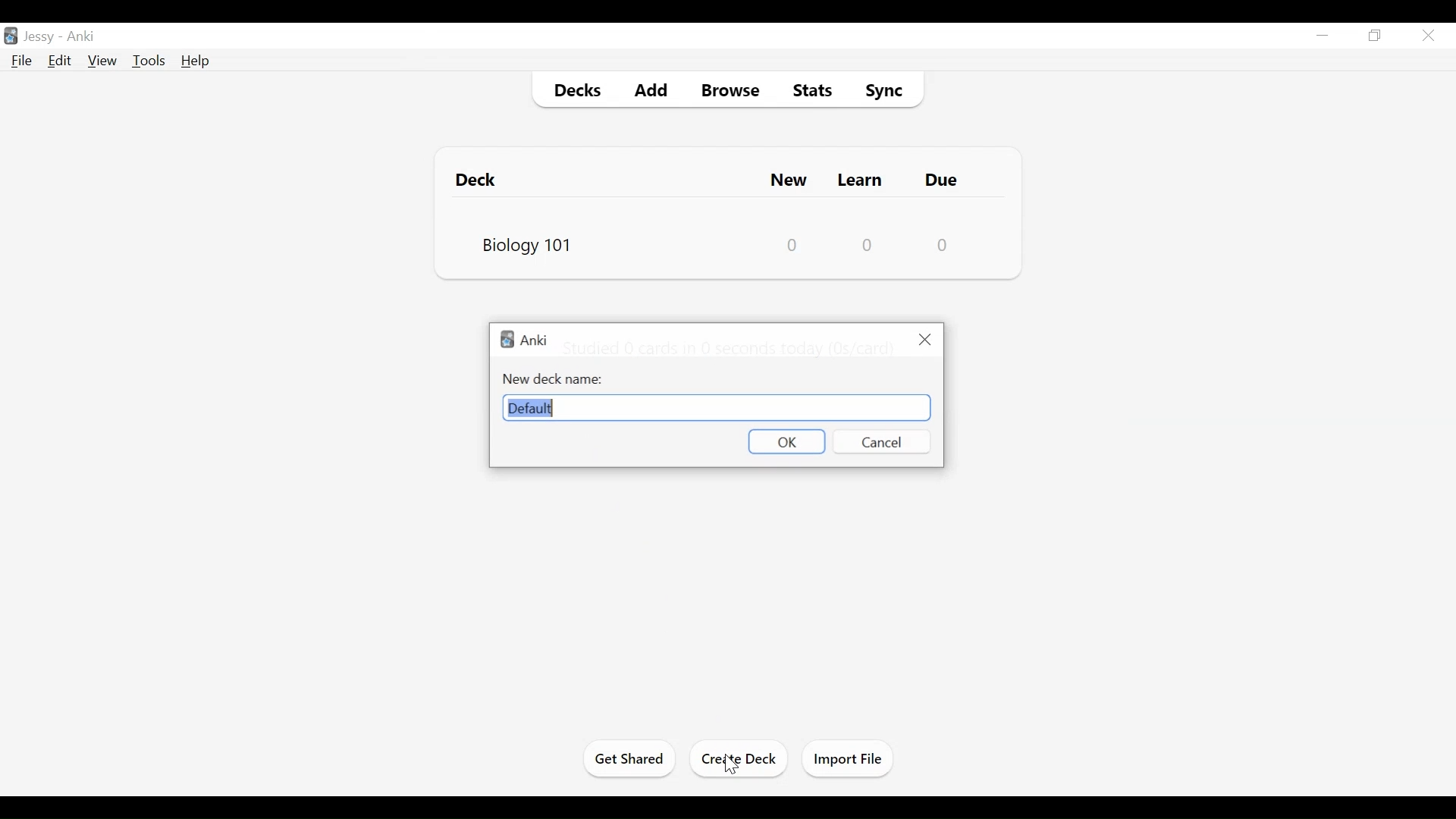 This screenshot has width=1456, height=819. I want to click on Learn Card Count, so click(868, 243).